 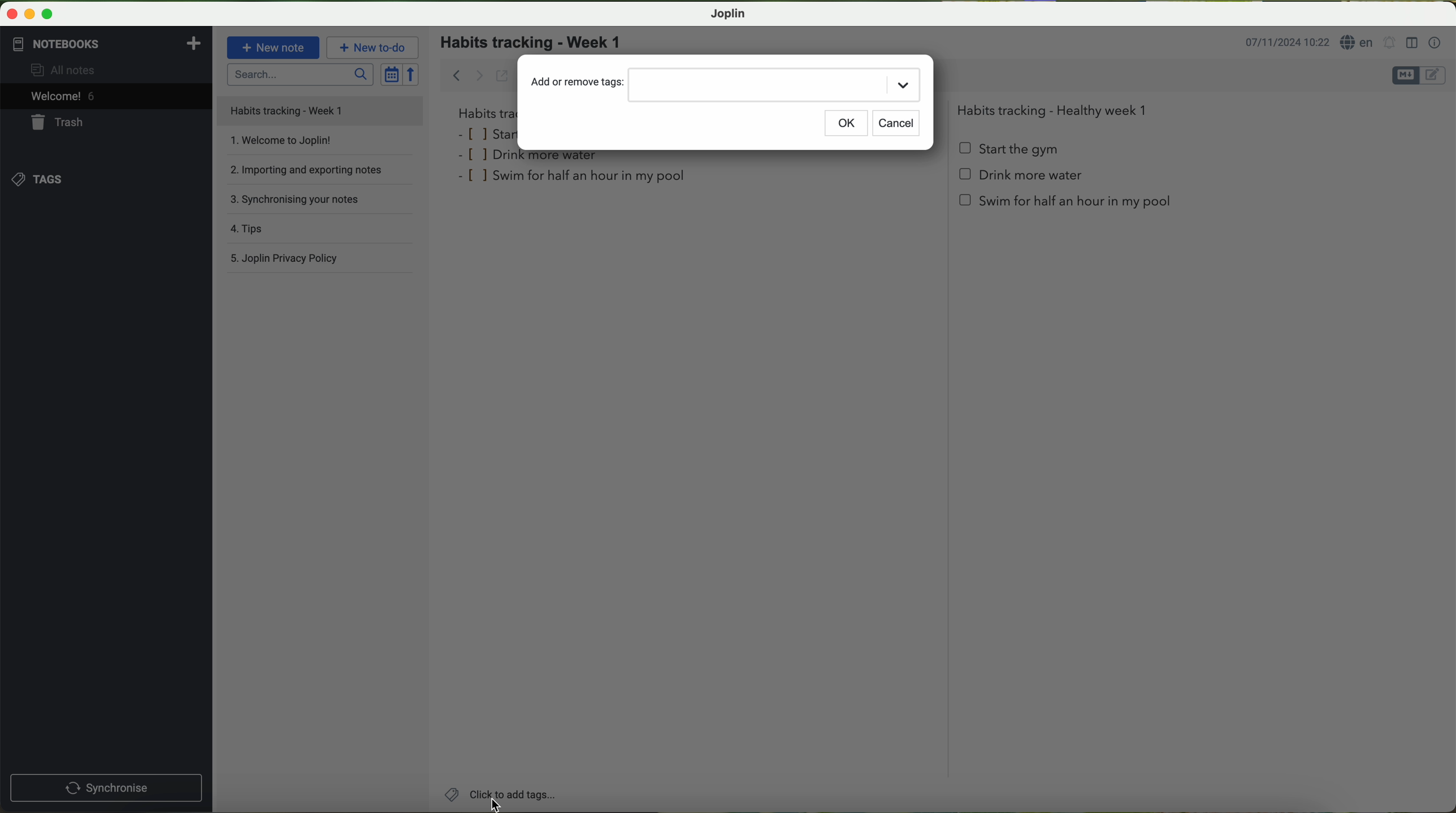 I want to click on tips, so click(x=322, y=231).